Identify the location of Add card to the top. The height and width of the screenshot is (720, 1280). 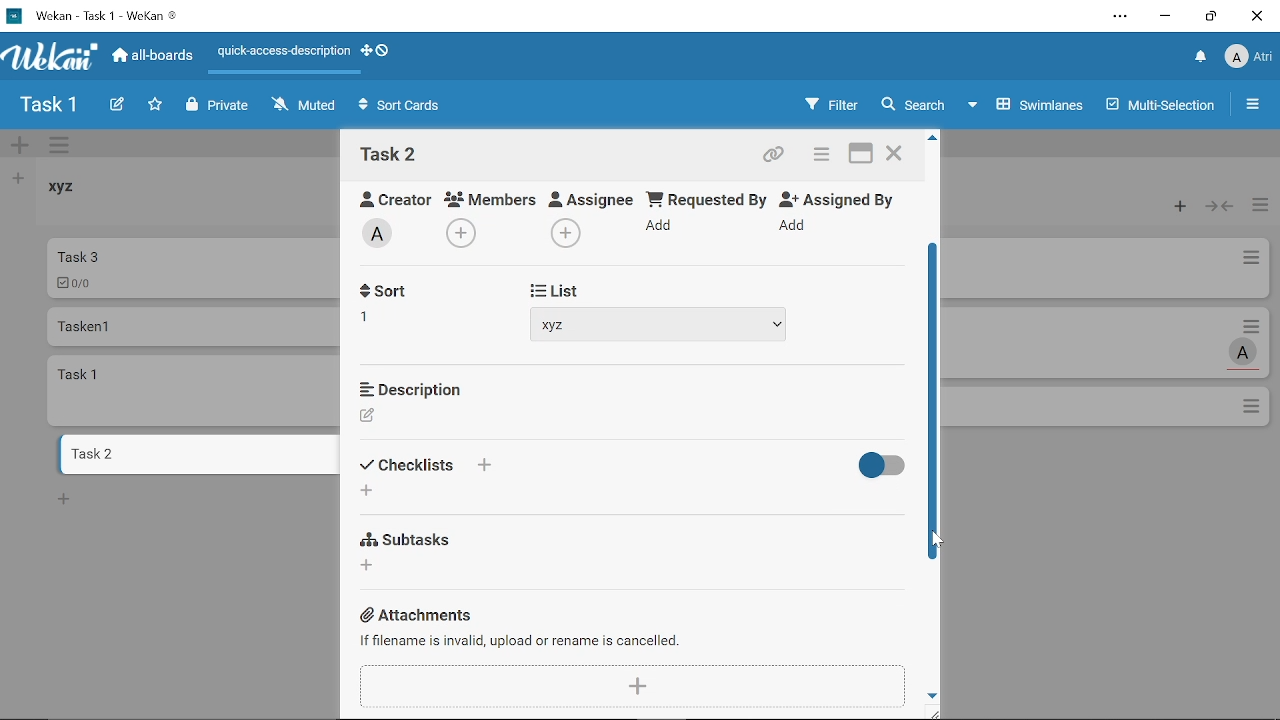
(1175, 207).